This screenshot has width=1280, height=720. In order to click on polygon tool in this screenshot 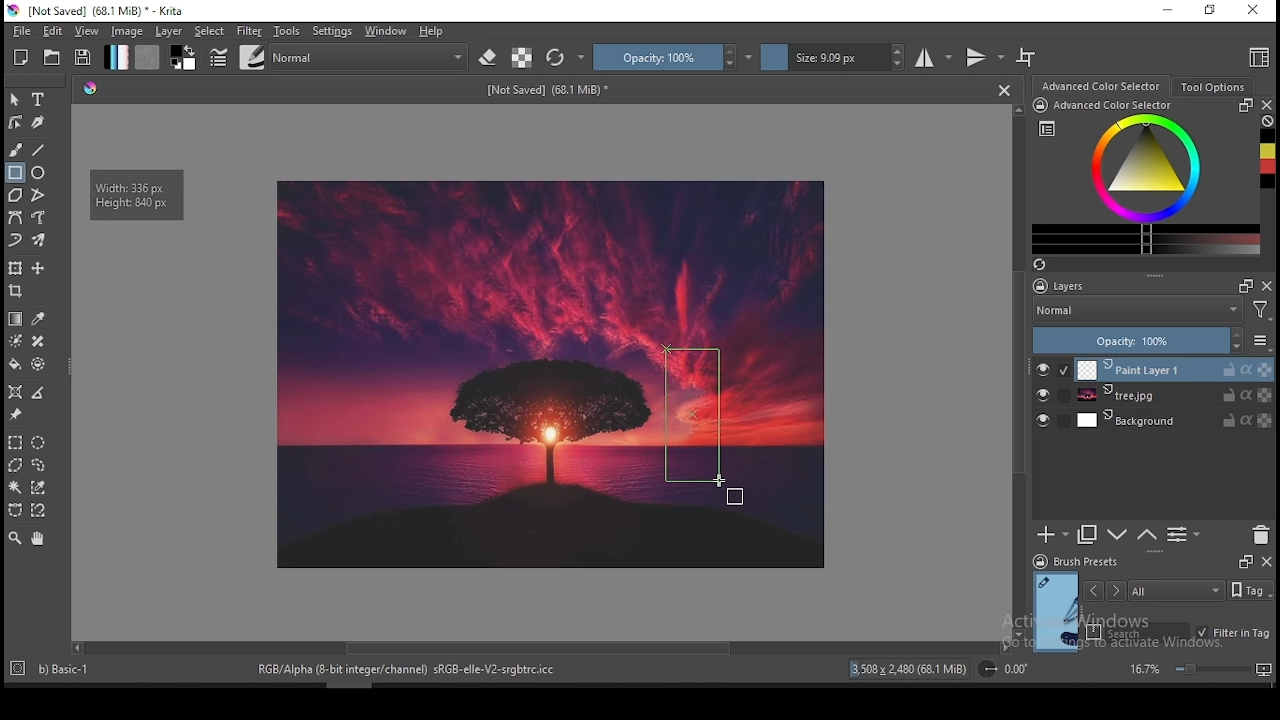, I will do `click(14, 195)`.